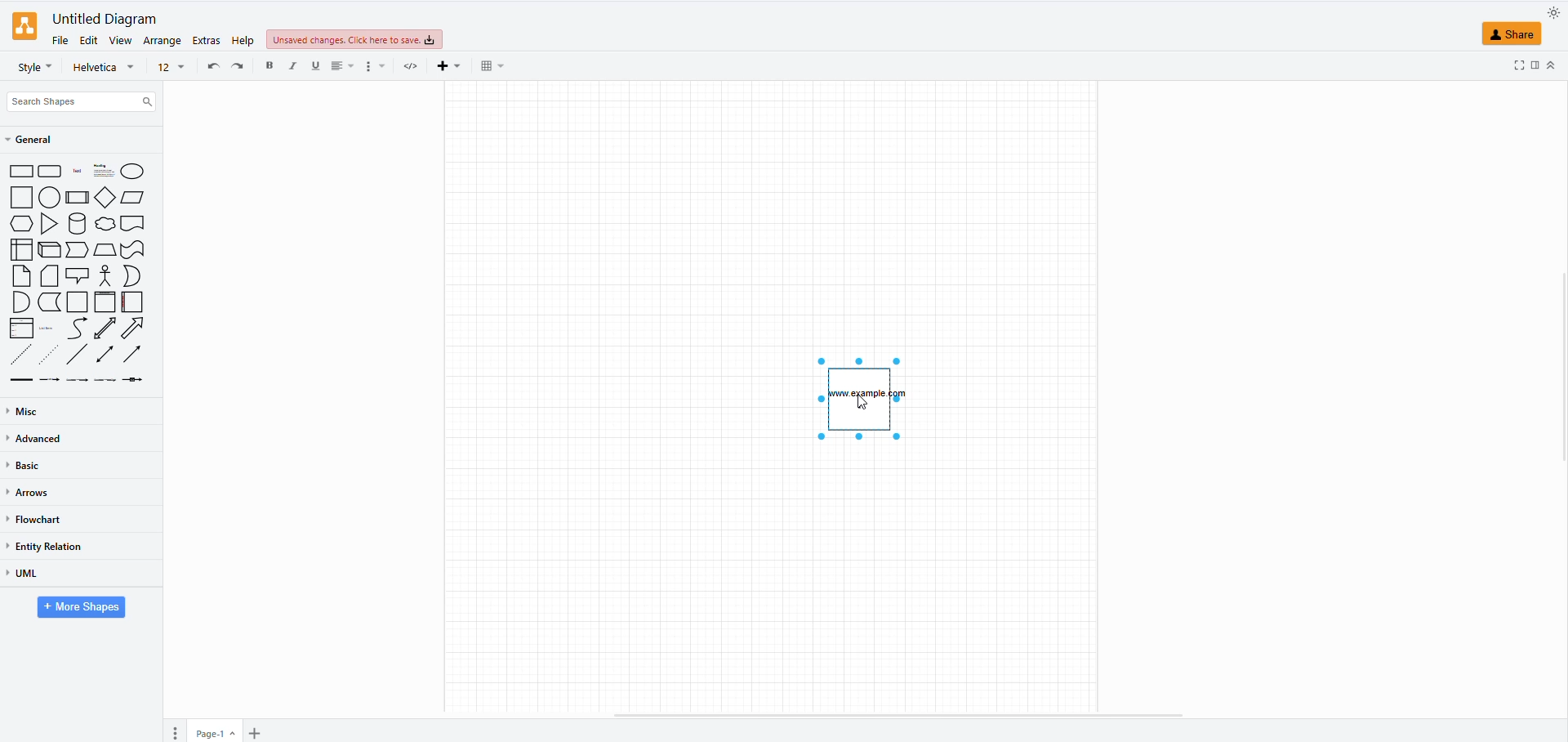  I want to click on And, so click(22, 302).